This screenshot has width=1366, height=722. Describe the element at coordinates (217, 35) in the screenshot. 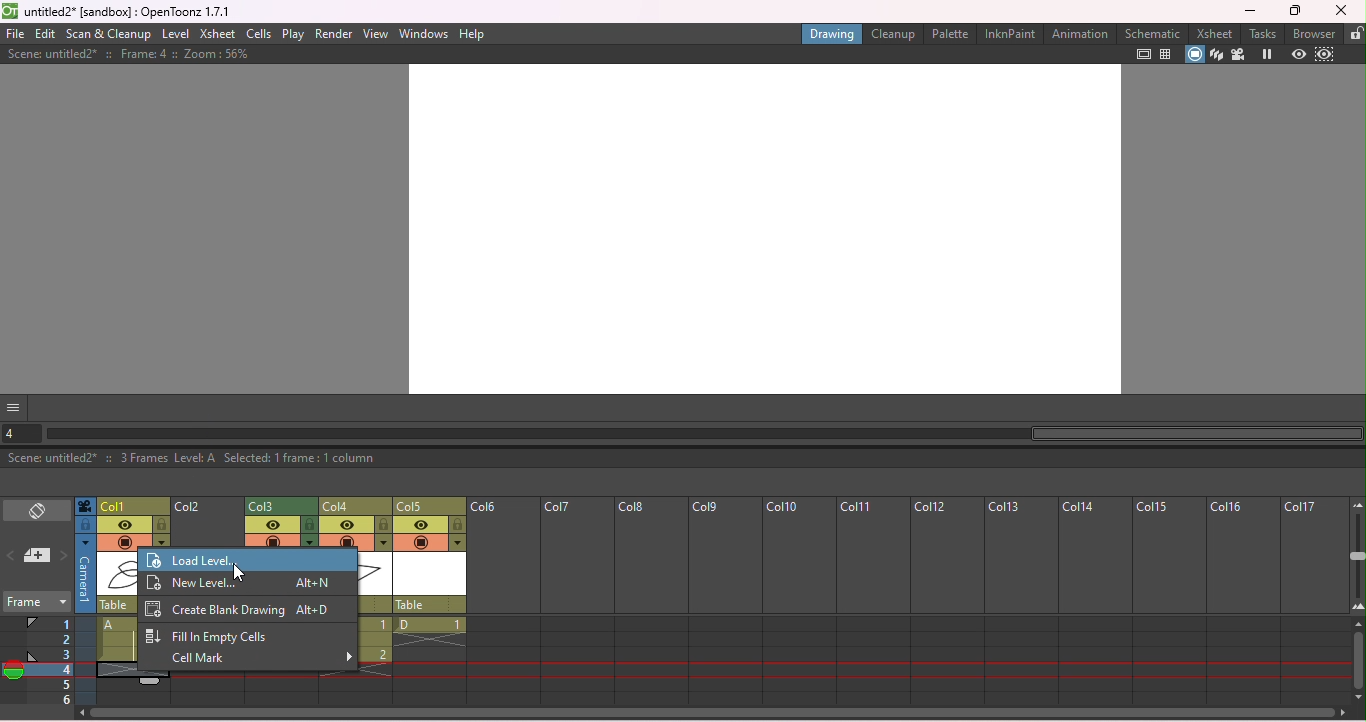

I see `Xsheet` at that location.